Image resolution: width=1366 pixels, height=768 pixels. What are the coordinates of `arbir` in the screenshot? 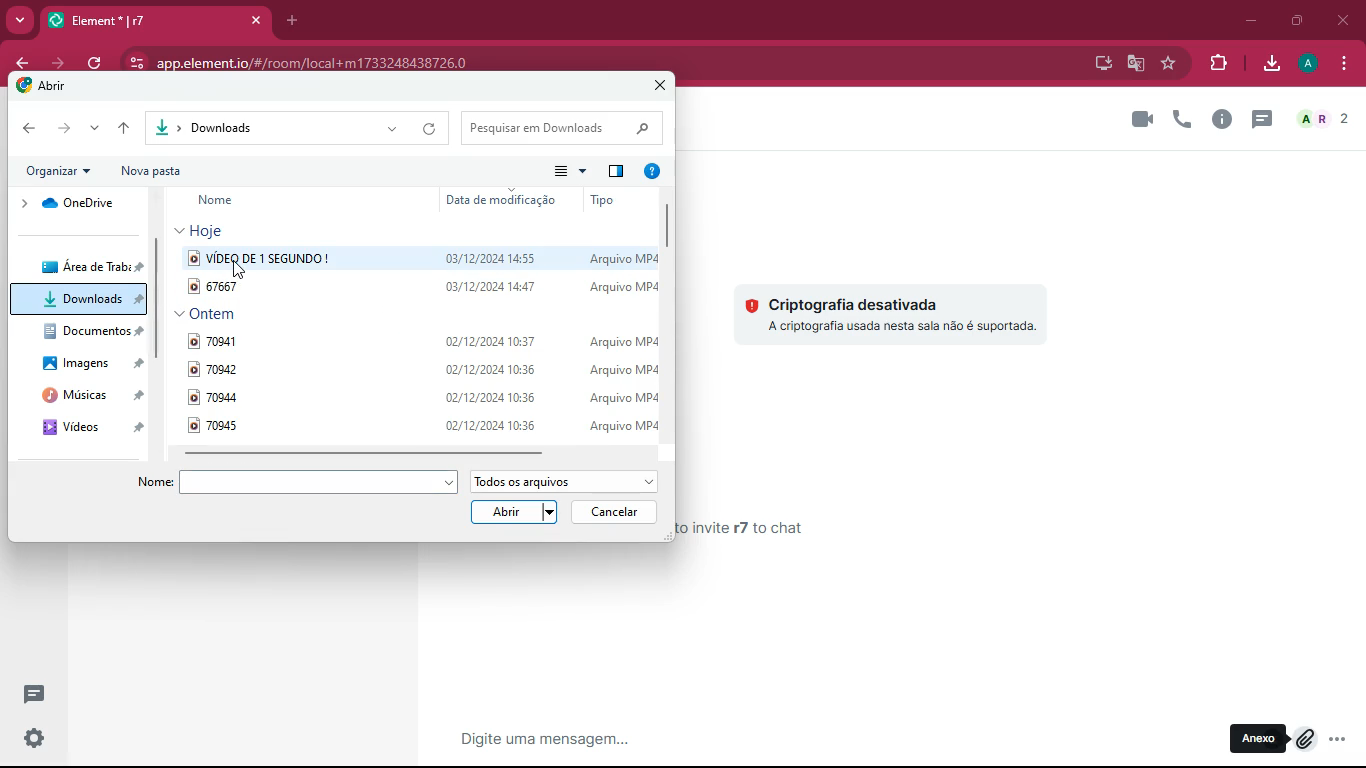 It's located at (52, 92).